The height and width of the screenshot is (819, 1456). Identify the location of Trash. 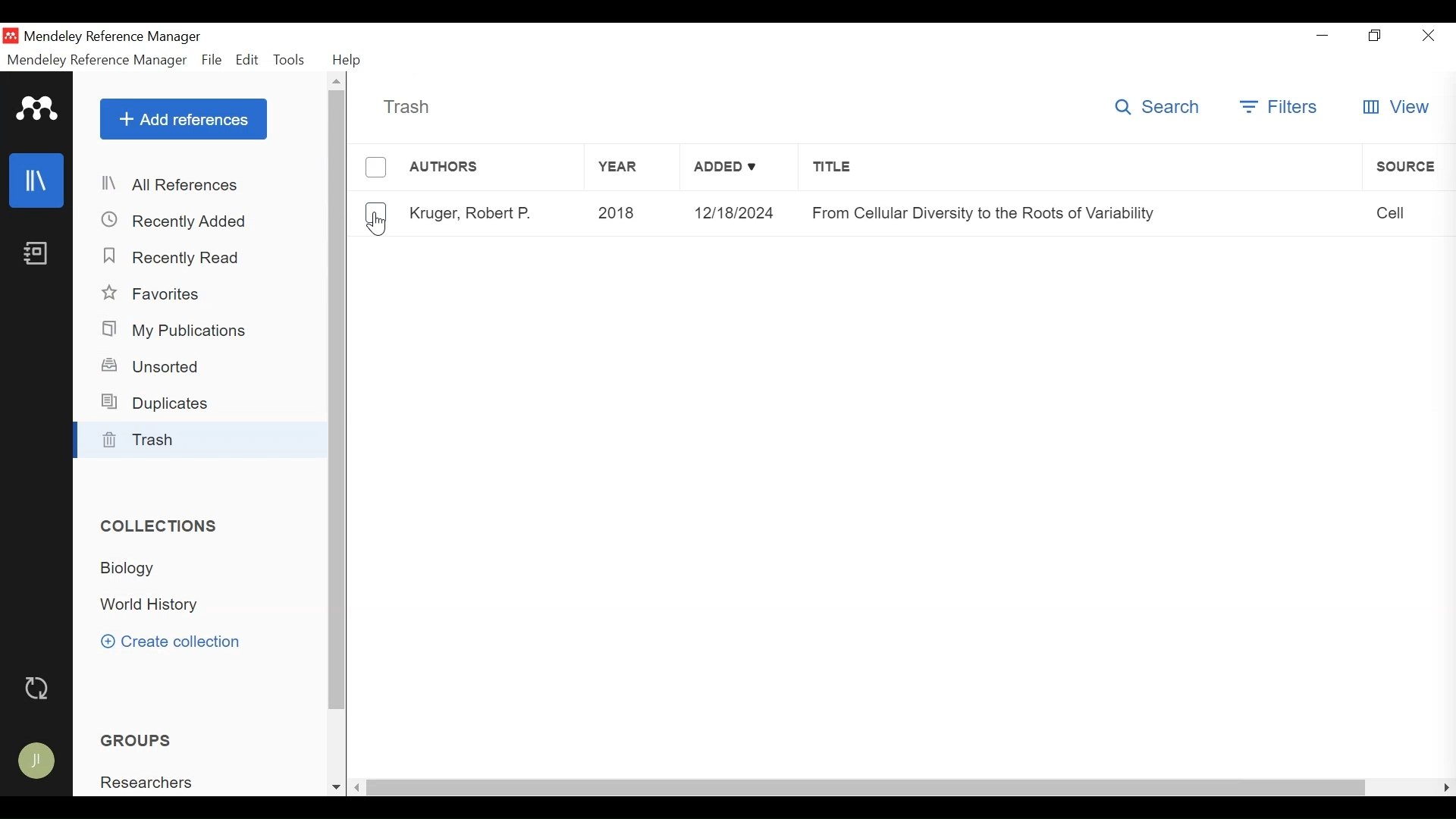
(406, 107).